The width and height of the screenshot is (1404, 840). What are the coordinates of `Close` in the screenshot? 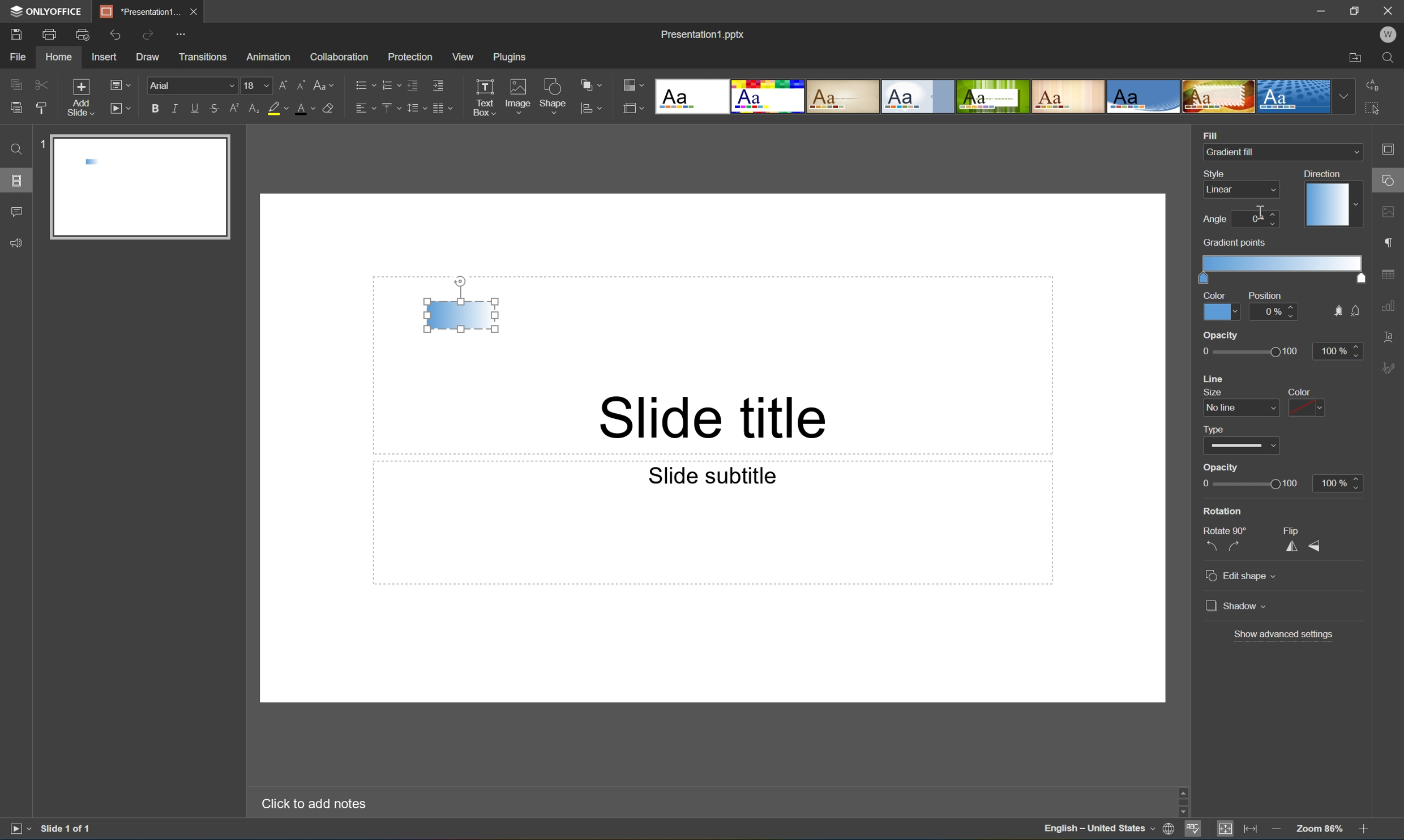 It's located at (192, 10).